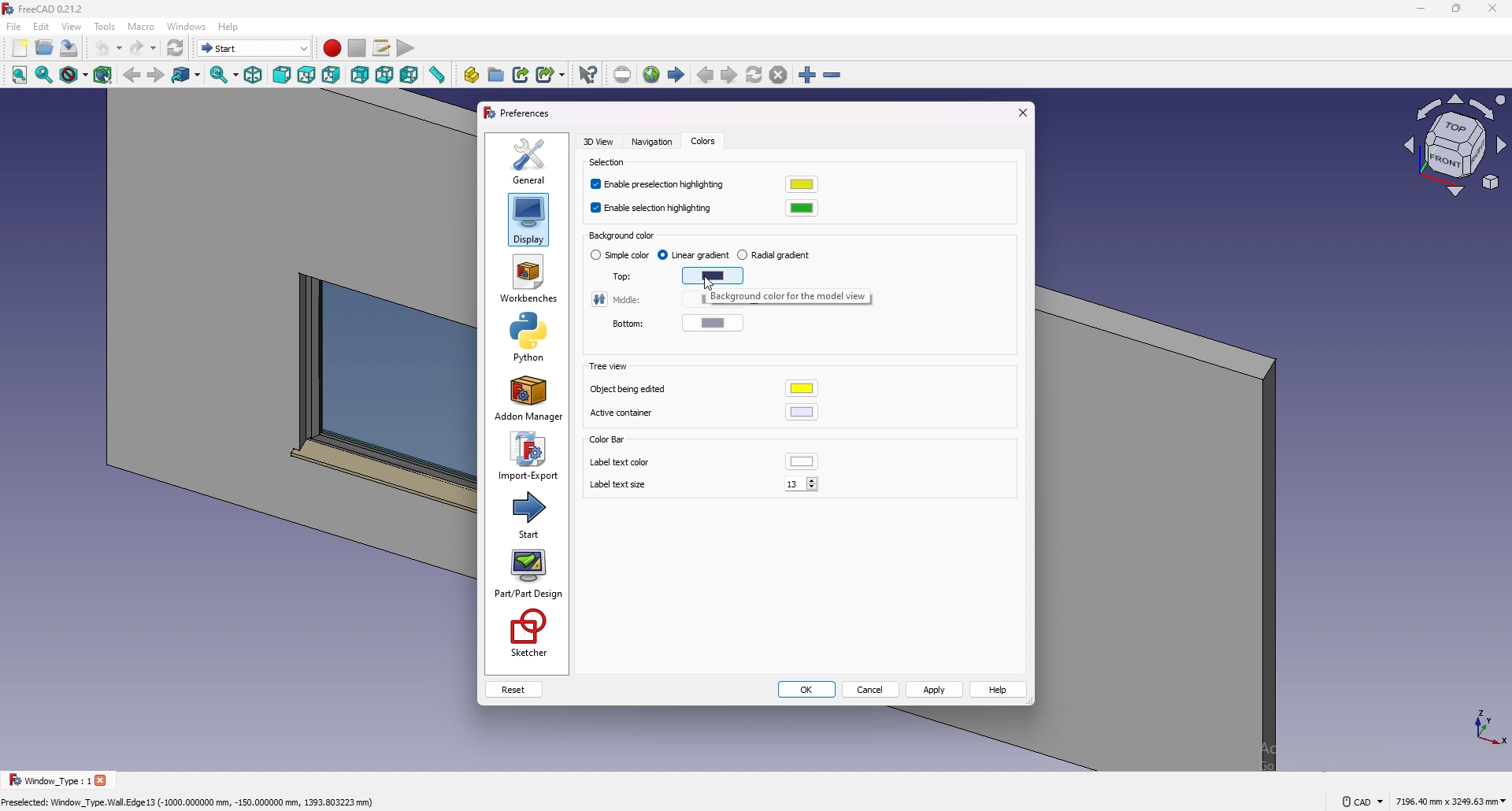 This screenshot has width=1512, height=811. What do you see at coordinates (588, 74) in the screenshot?
I see `what's this?` at bounding box center [588, 74].